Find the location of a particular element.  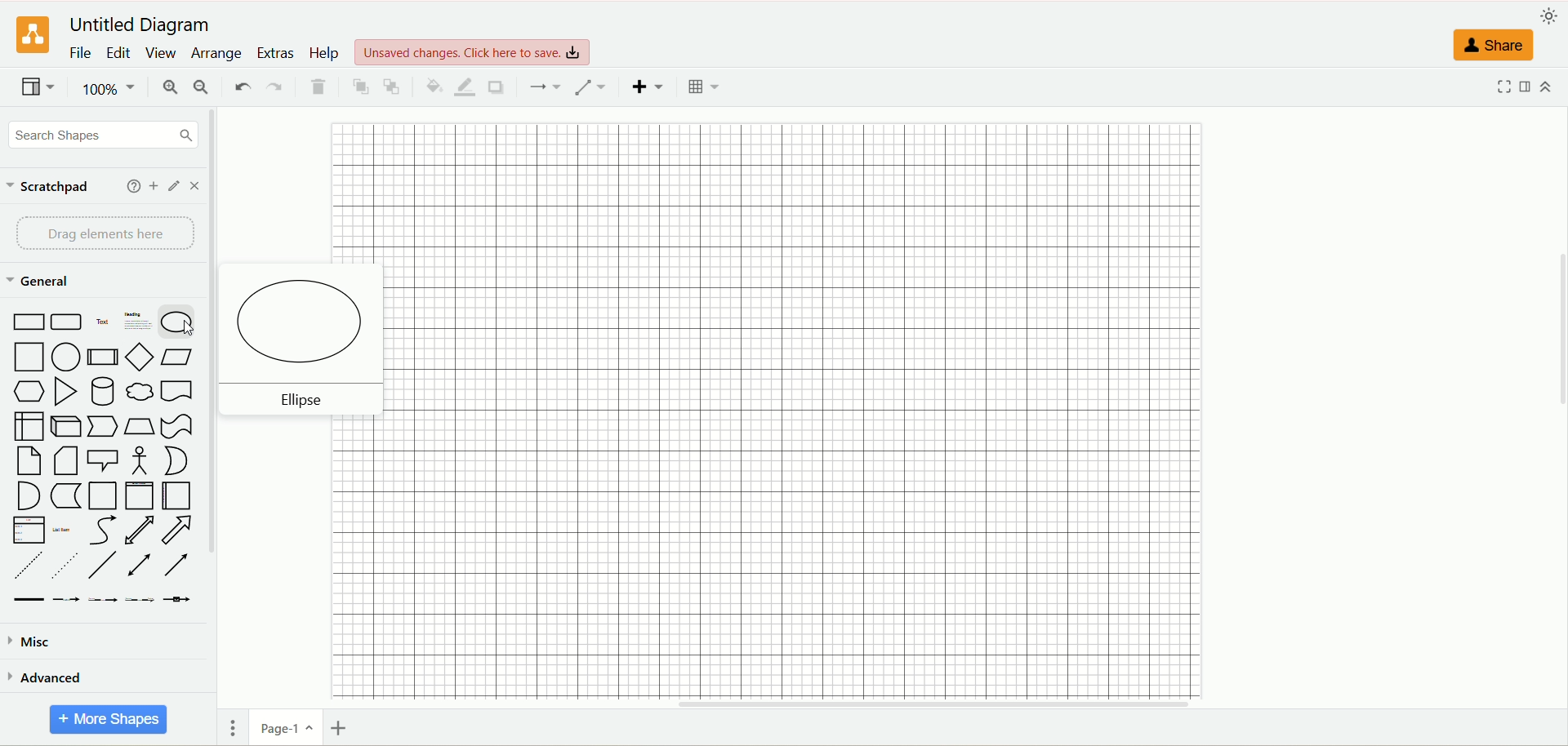

callout is located at coordinates (101, 460).